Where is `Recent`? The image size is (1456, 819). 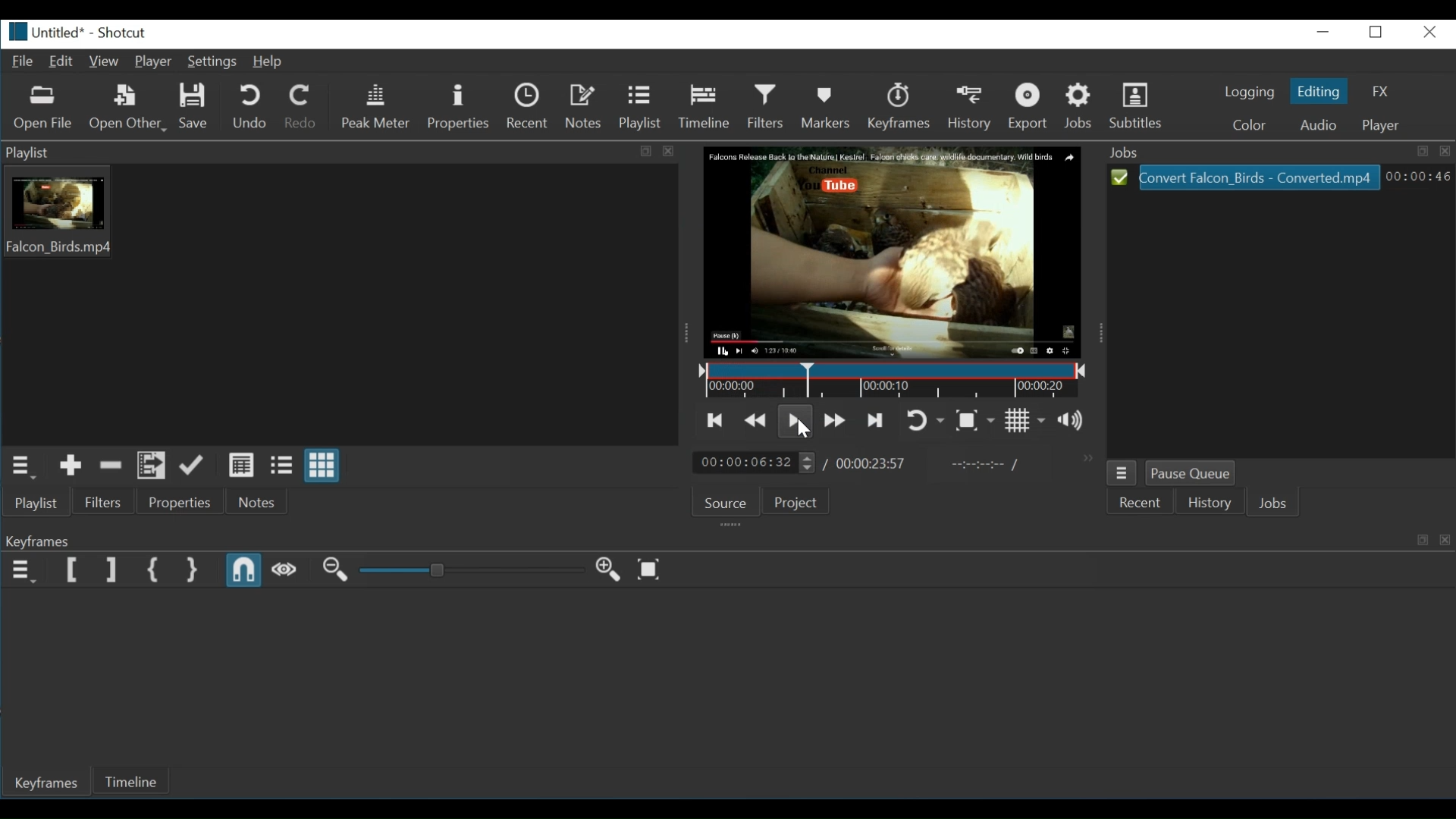
Recent is located at coordinates (529, 106).